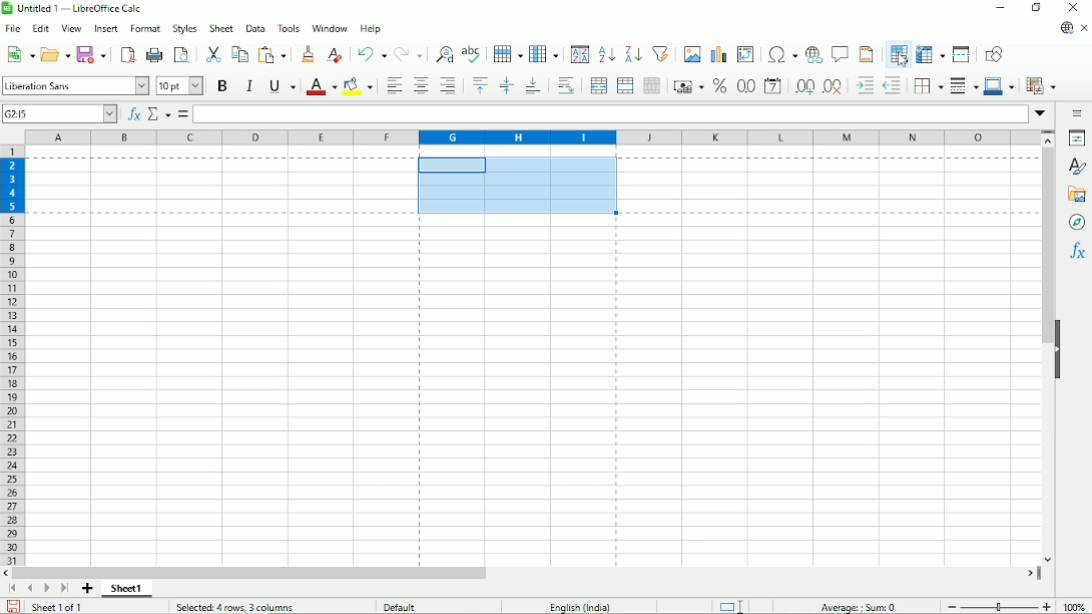  I want to click on Add sheet, so click(88, 589).